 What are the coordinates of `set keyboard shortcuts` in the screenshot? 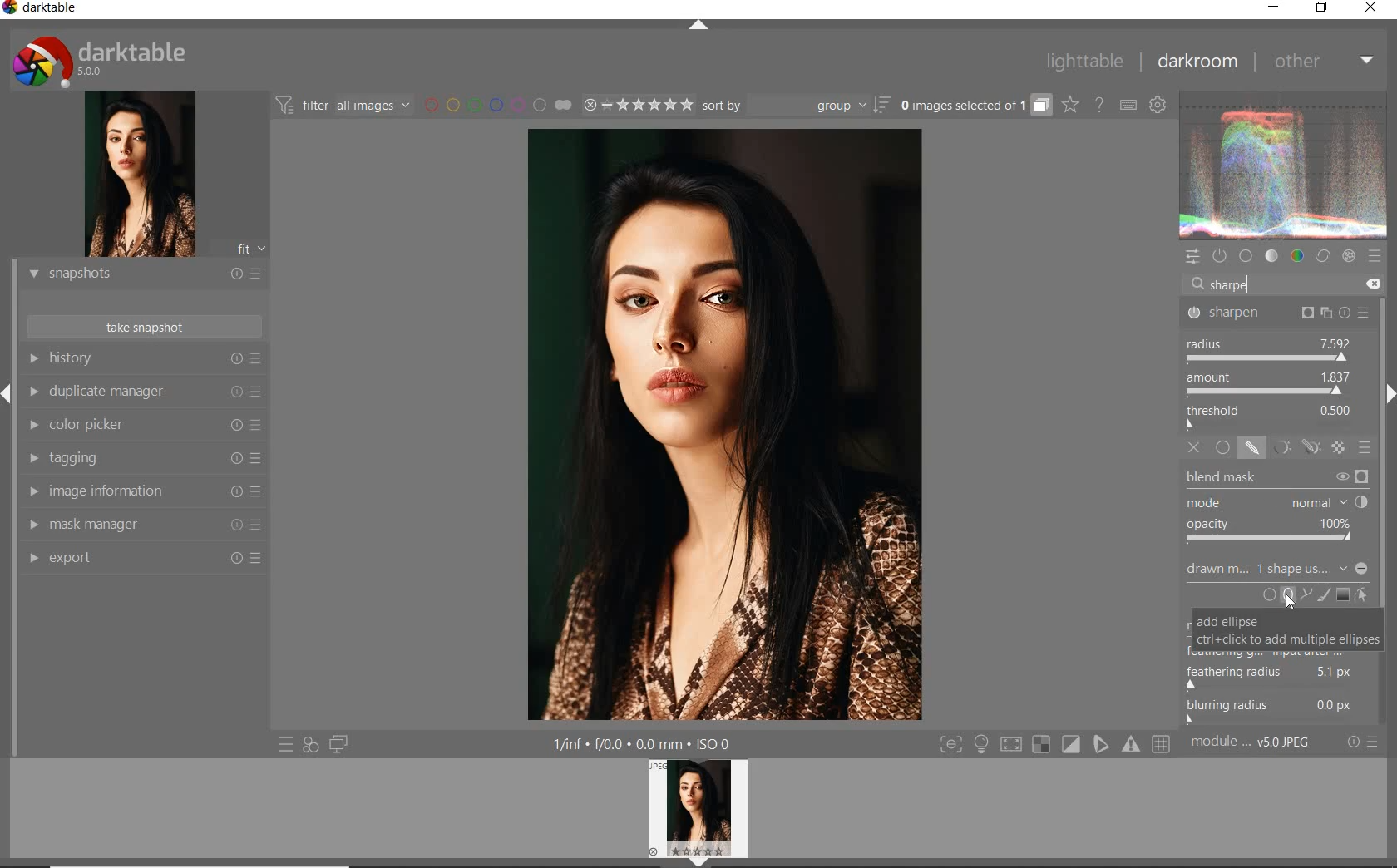 It's located at (1127, 106).